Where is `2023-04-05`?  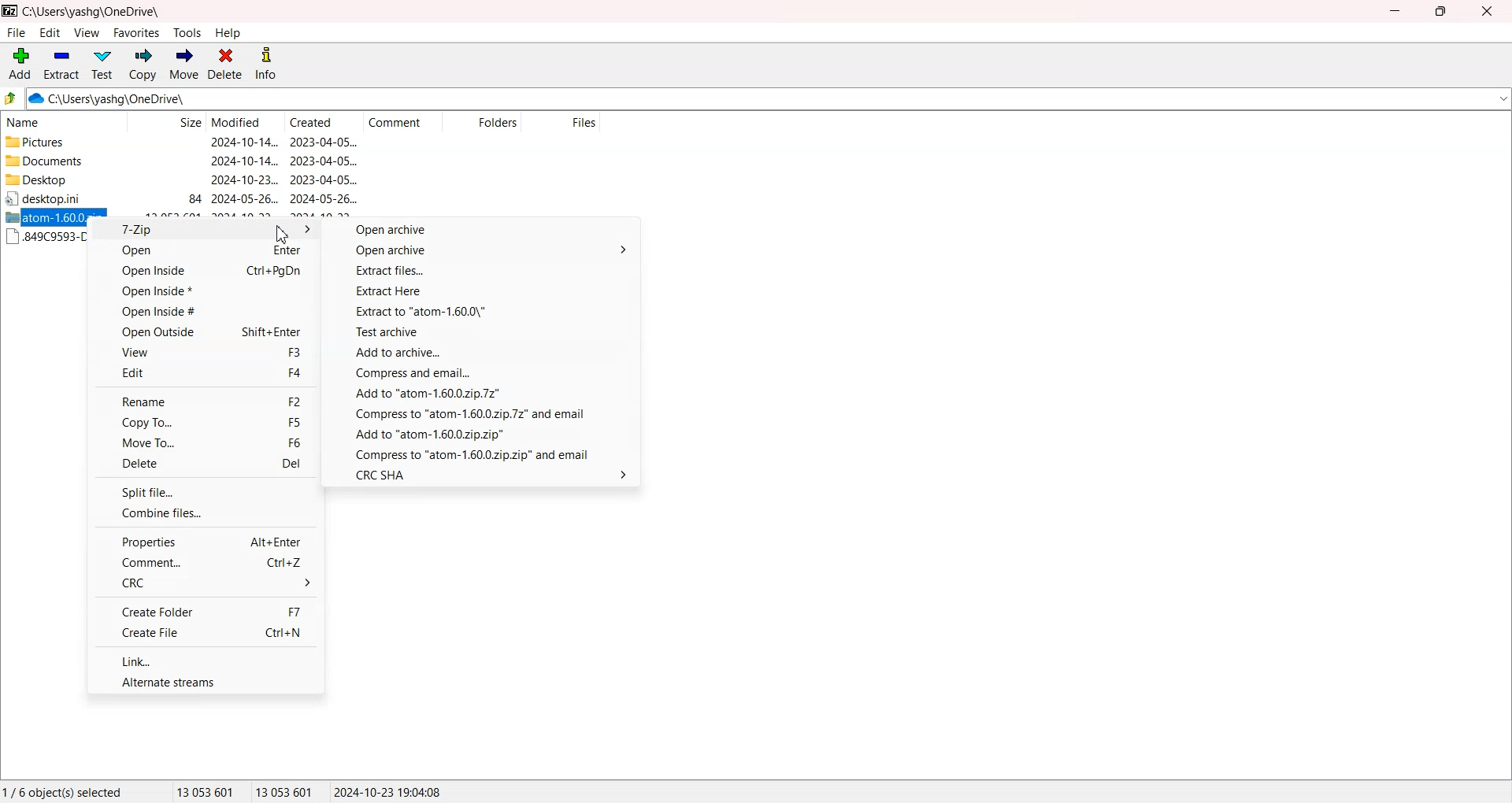 2023-04-05 is located at coordinates (324, 142).